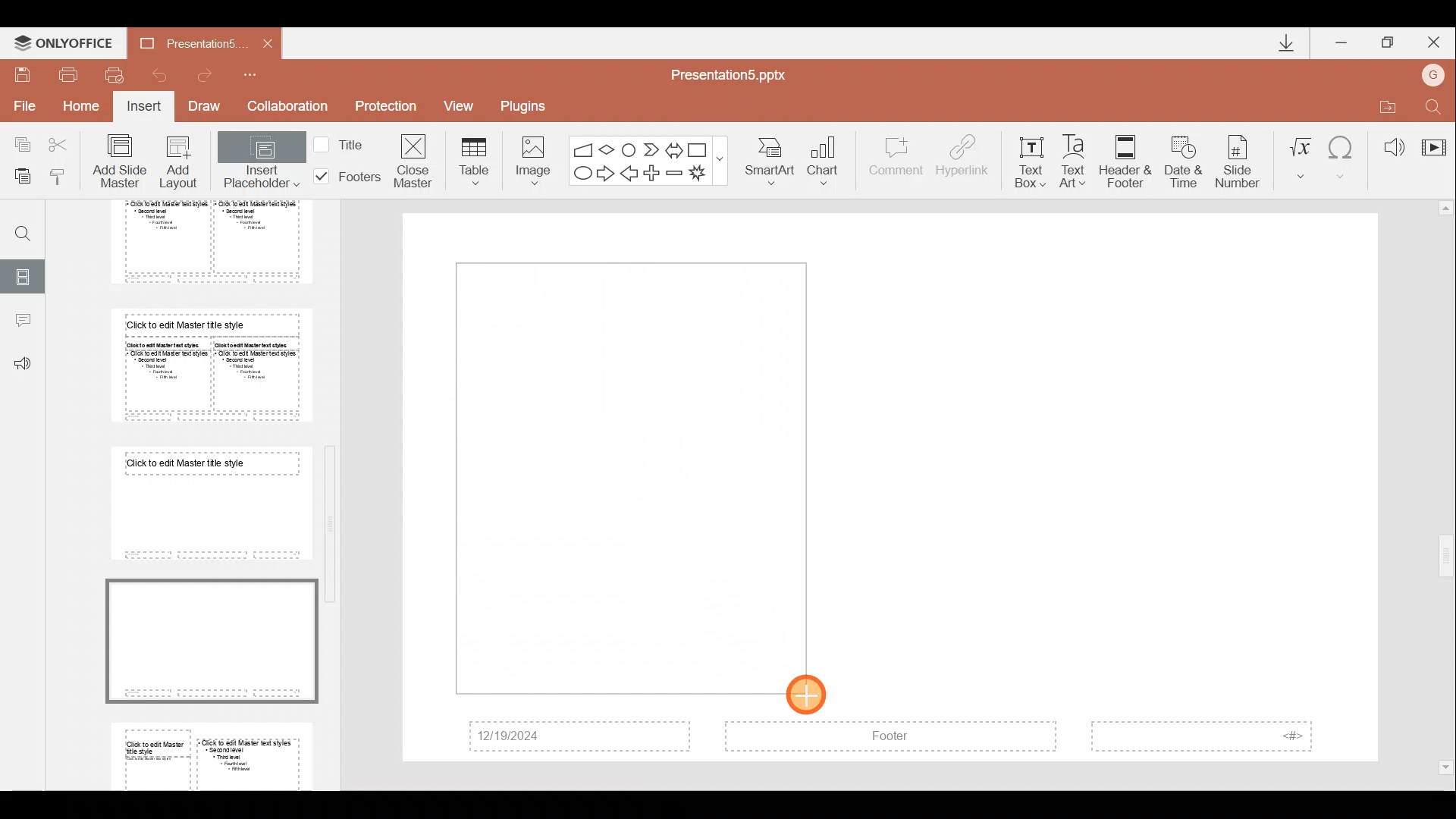 The height and width of the screenshot is (819, 1456). I want to click on Symbol, so click(1343, 155).